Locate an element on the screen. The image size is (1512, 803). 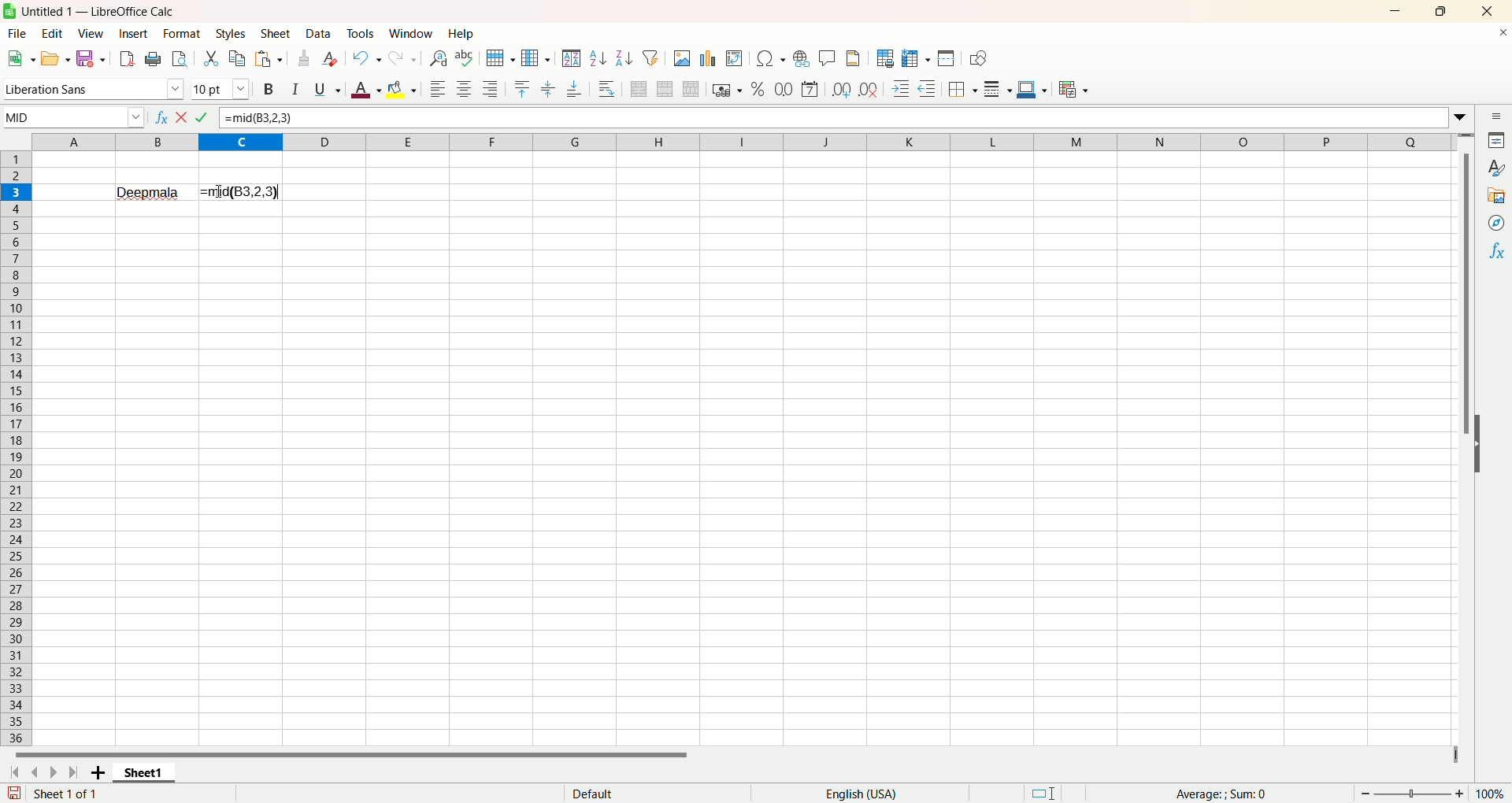
Insert symbols is located at coordinates (770, 58).